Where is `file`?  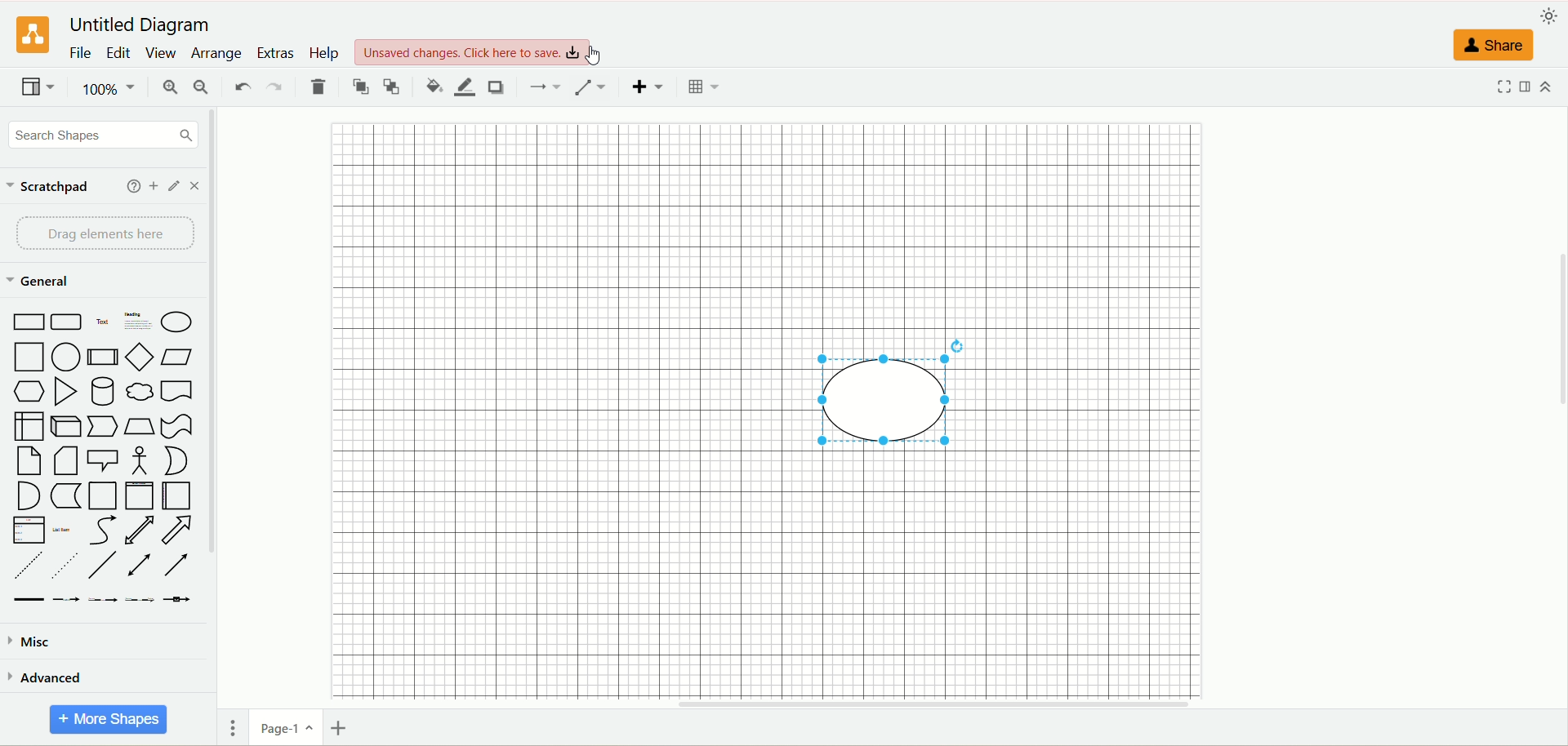 file is located at coordinates (81, 55).